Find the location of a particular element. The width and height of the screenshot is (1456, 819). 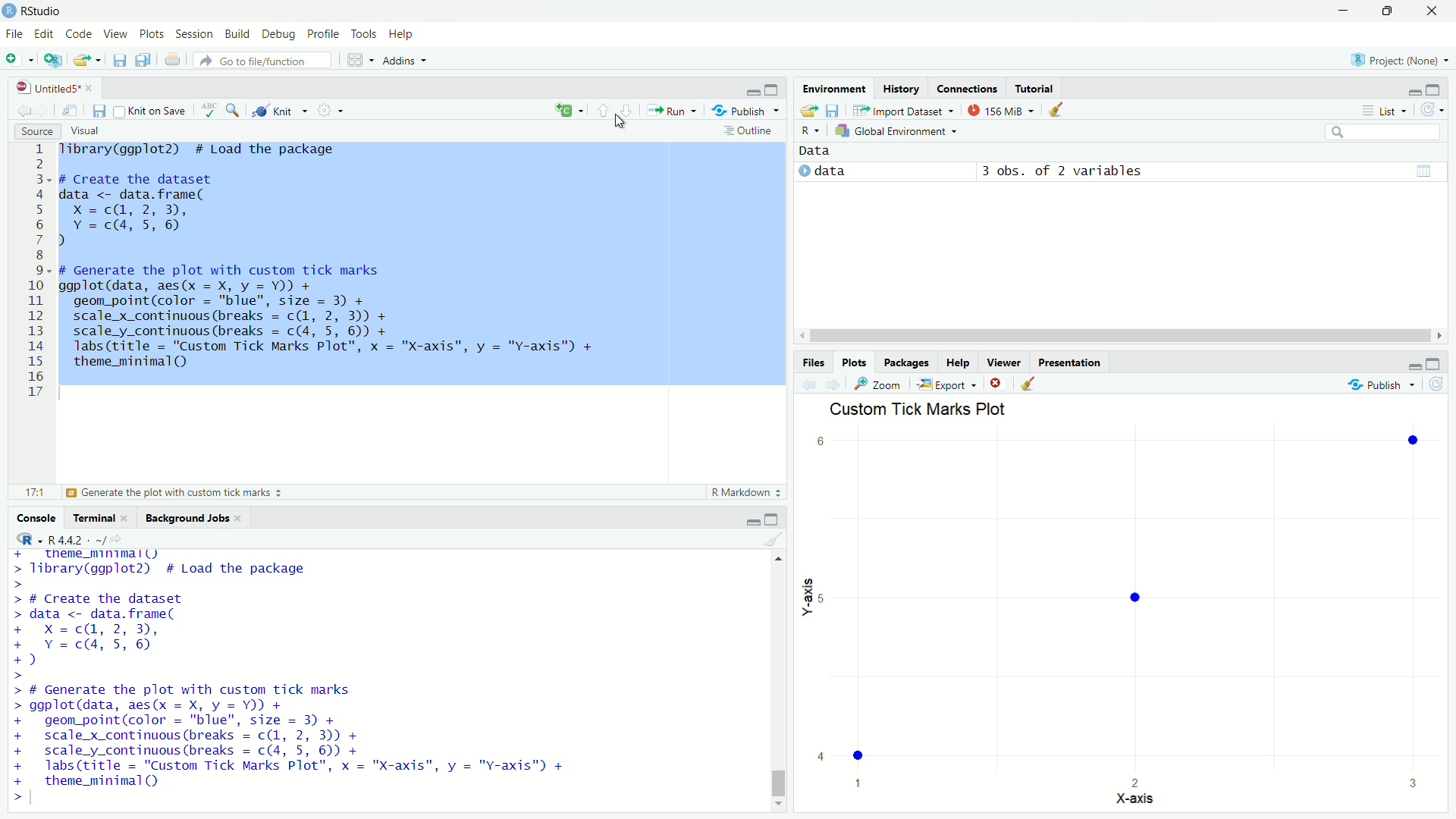

visual is located at coordinates (88, 131).